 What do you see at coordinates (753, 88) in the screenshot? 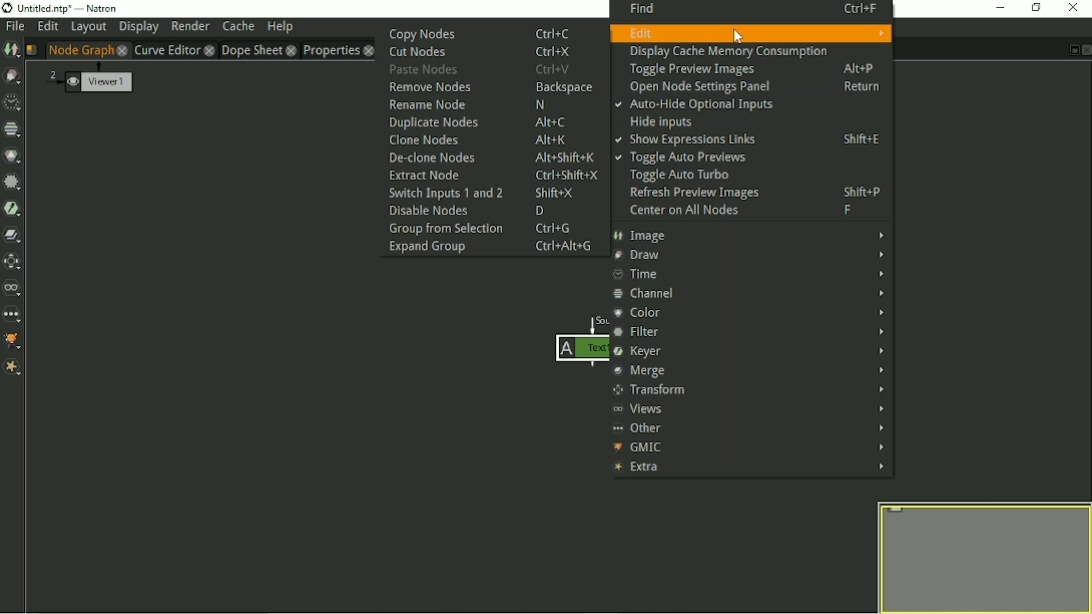
I see `Open Node Settings Panel` at bounding box center [753, 88].